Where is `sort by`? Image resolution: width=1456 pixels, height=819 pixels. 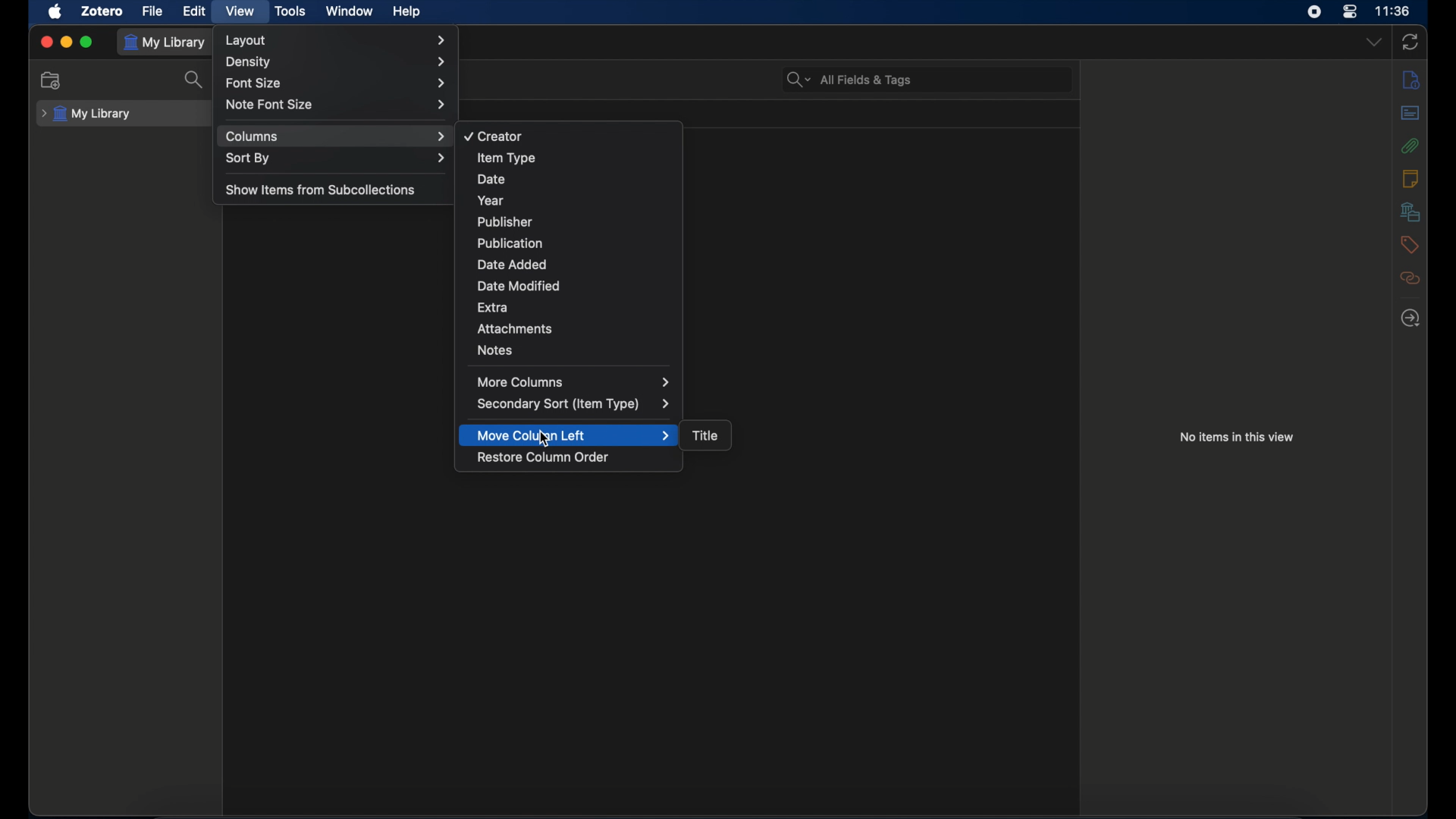 sort by is located at coordinates (336, 158).